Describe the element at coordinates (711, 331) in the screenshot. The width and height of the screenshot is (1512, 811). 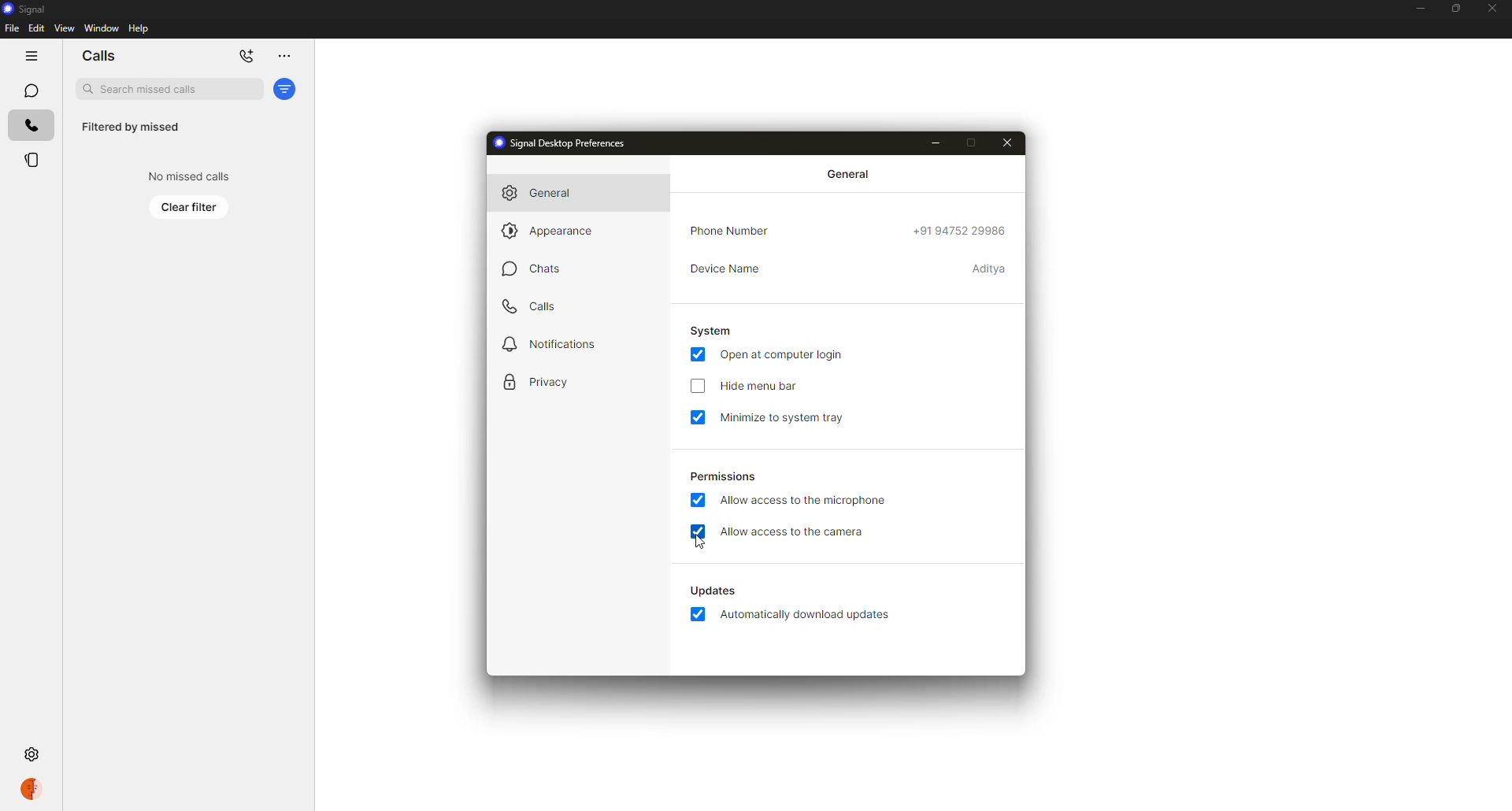
I see `system` at that location.